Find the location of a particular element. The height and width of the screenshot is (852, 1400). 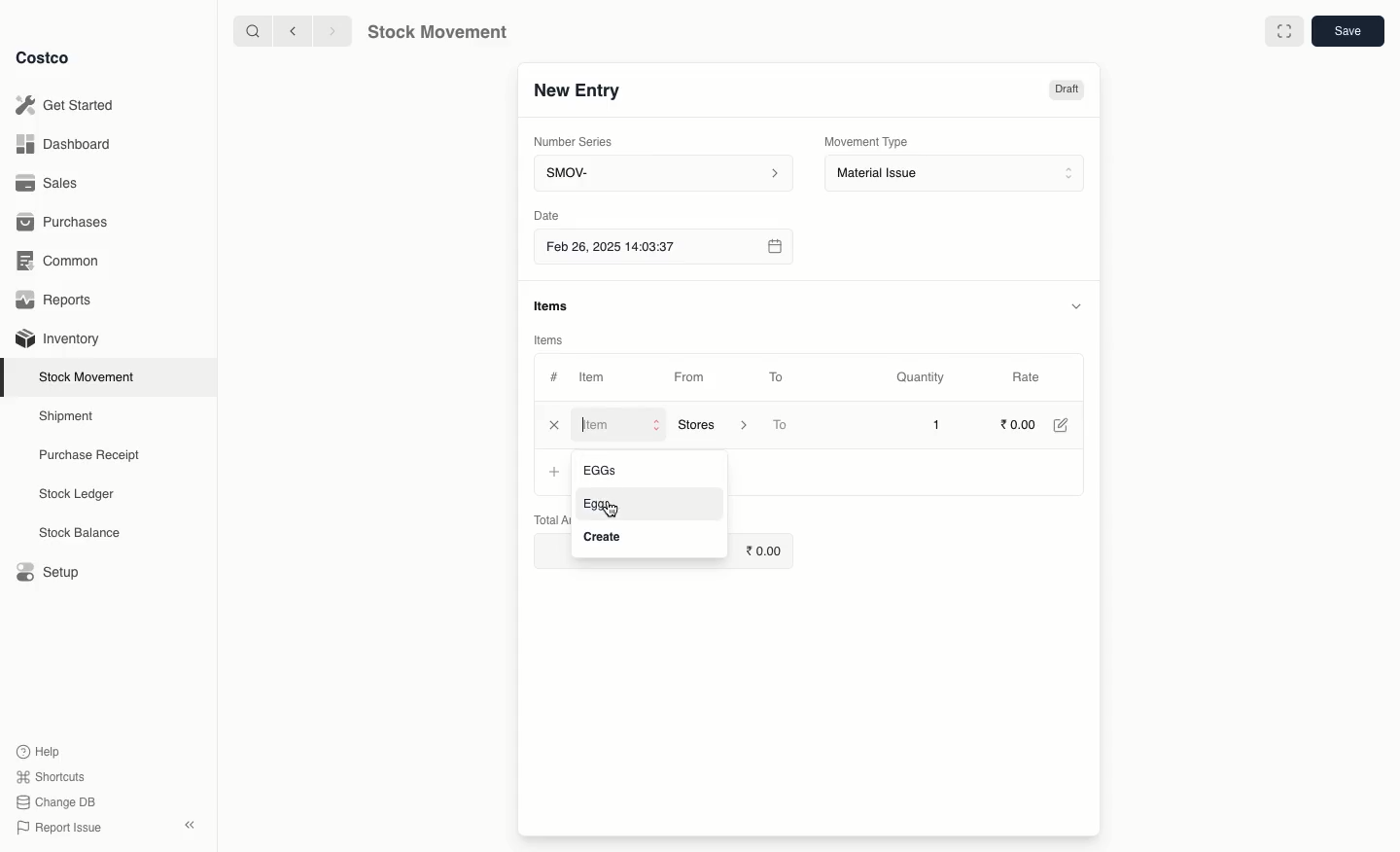

Purchase Receipt is located at coordinates (94, 454).